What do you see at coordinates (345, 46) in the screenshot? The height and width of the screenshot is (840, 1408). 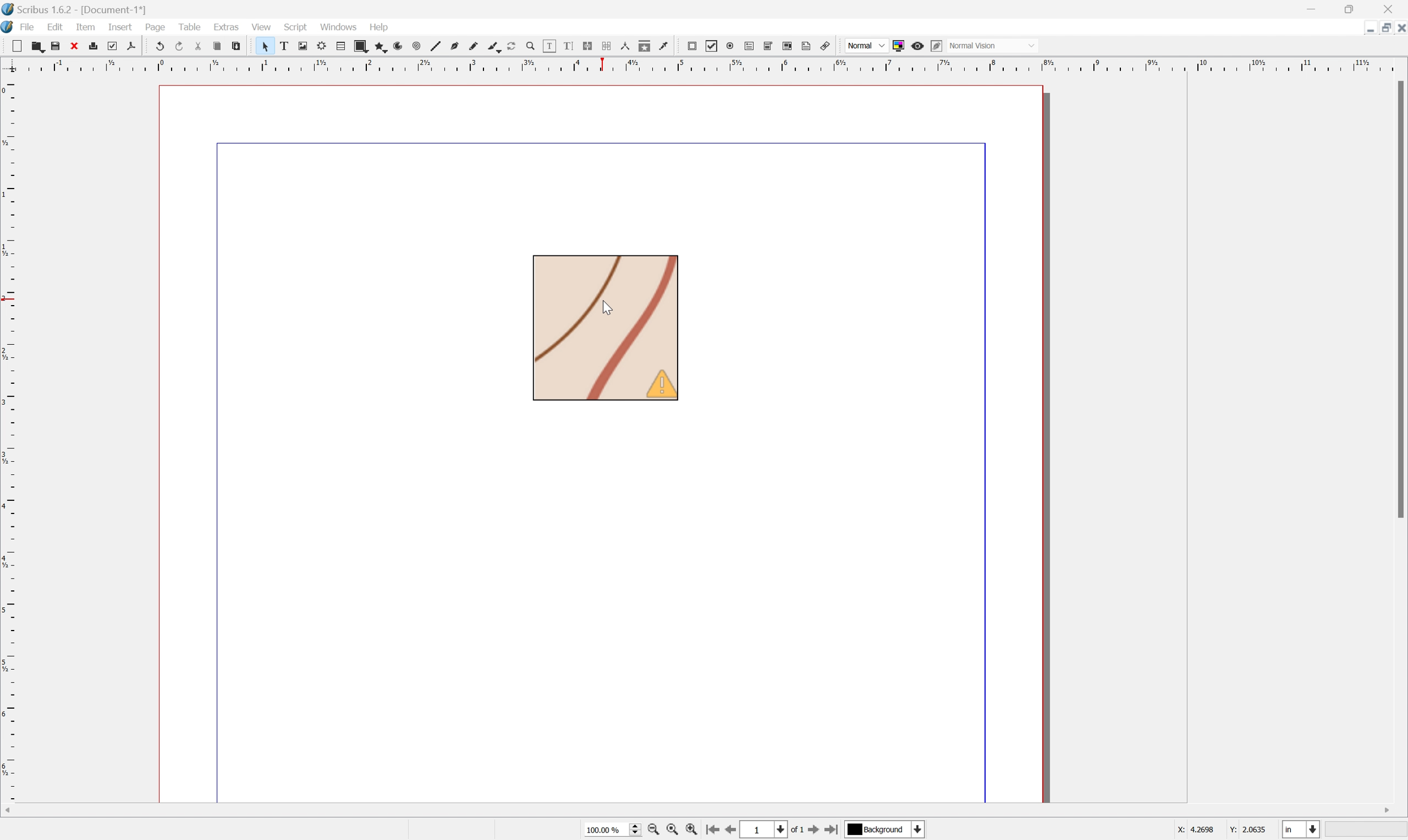 I see `Table` at bounding box center [345, 46].